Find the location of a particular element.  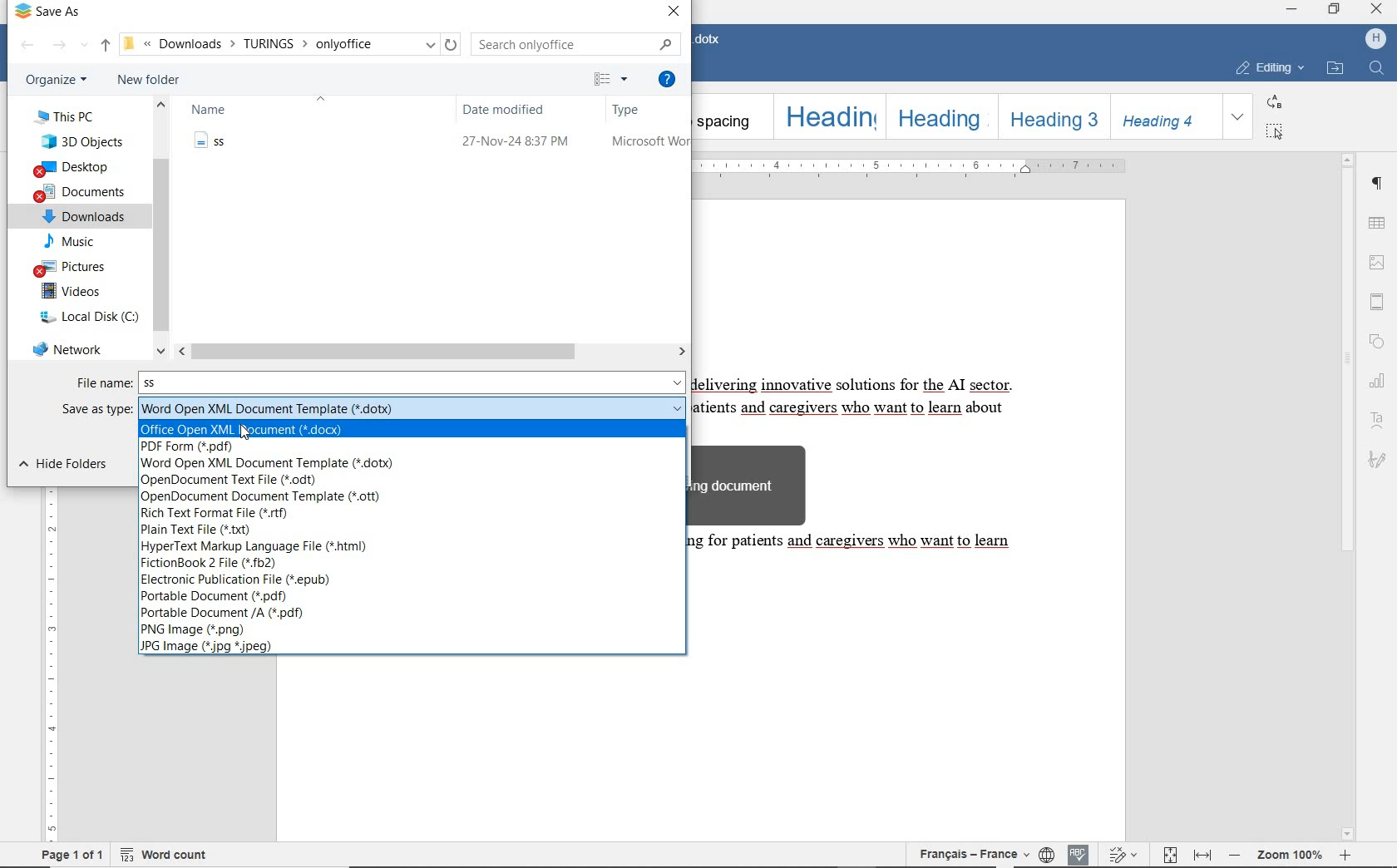

HIDE FOLDER is located at coordinates (69, 465).